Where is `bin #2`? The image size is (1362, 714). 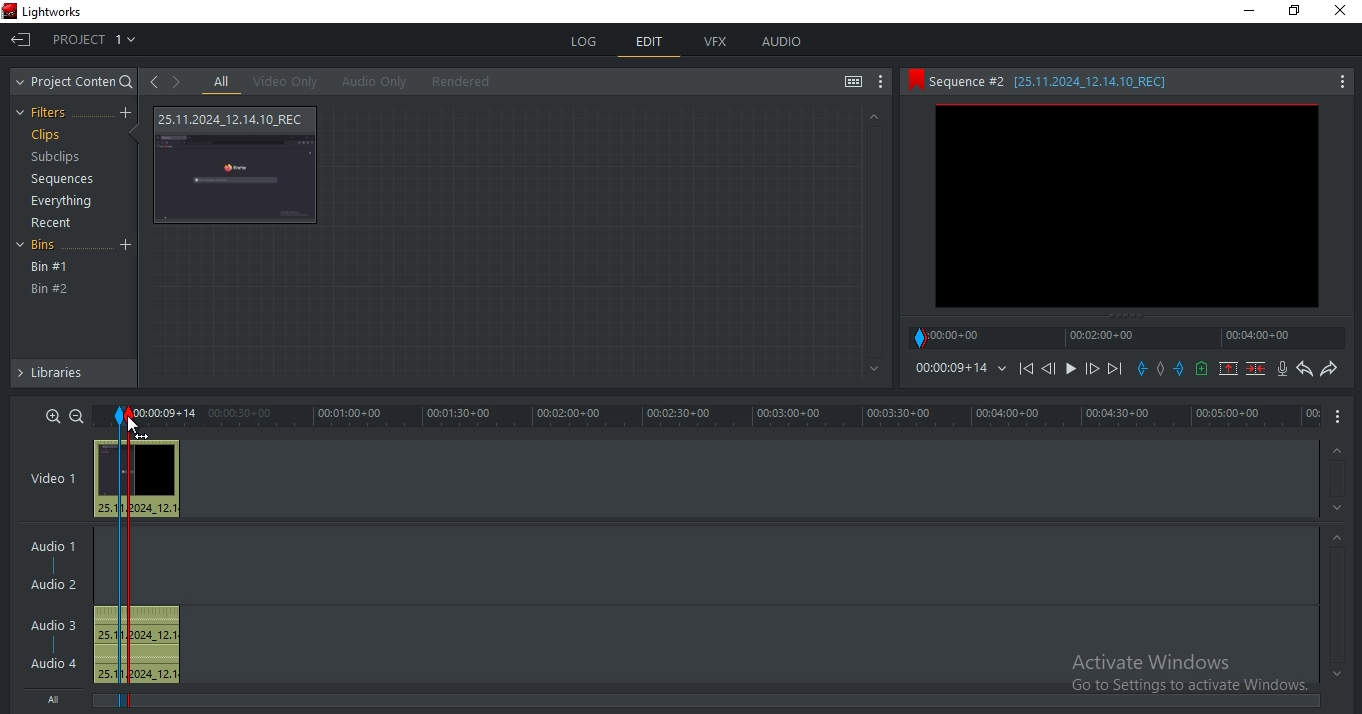 bin #2 is located at coordinates (50, 289).